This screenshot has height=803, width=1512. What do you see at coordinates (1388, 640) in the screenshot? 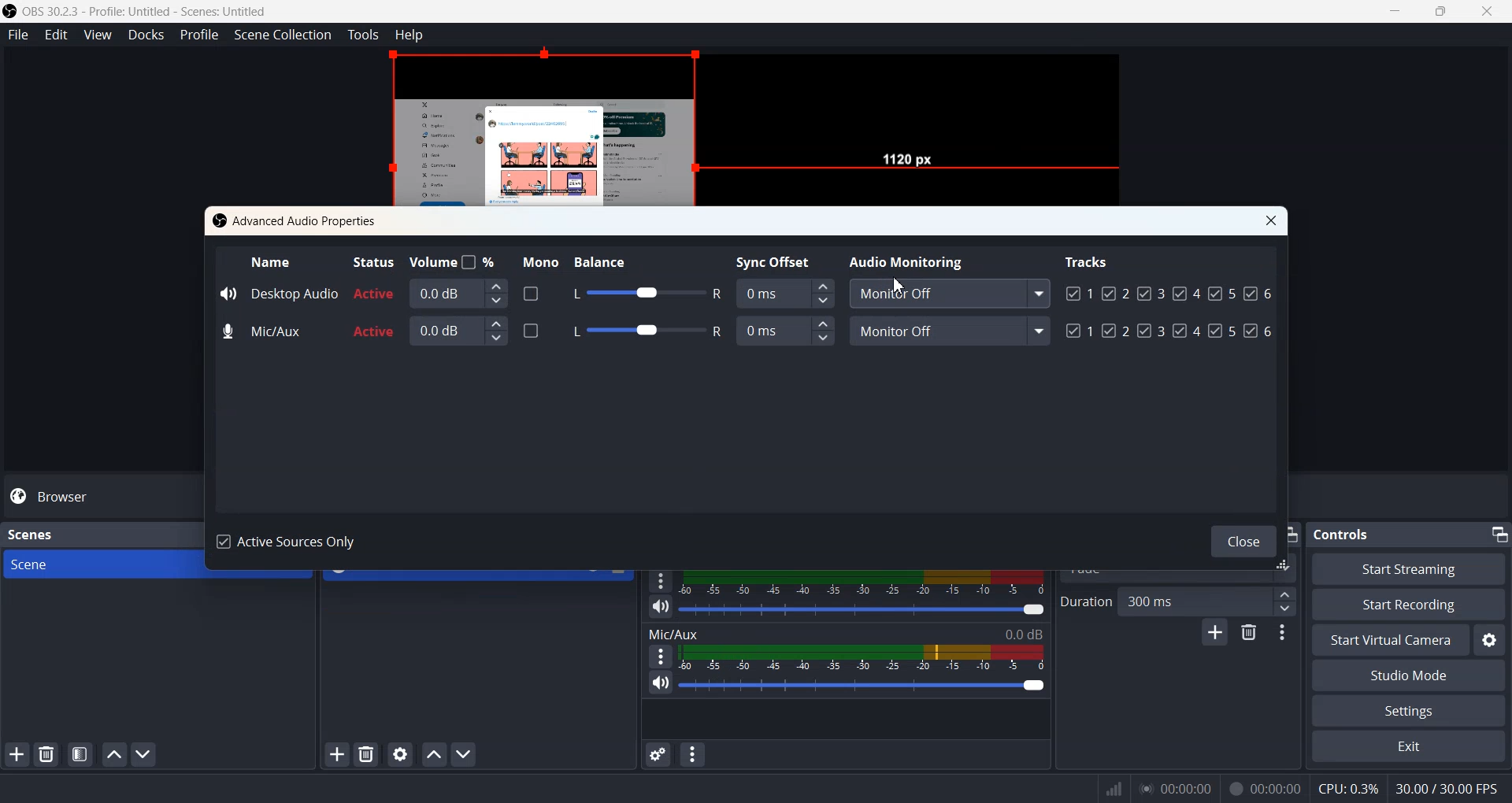
I see `Start Virtual Camera` at bounding box center [1388, 640].